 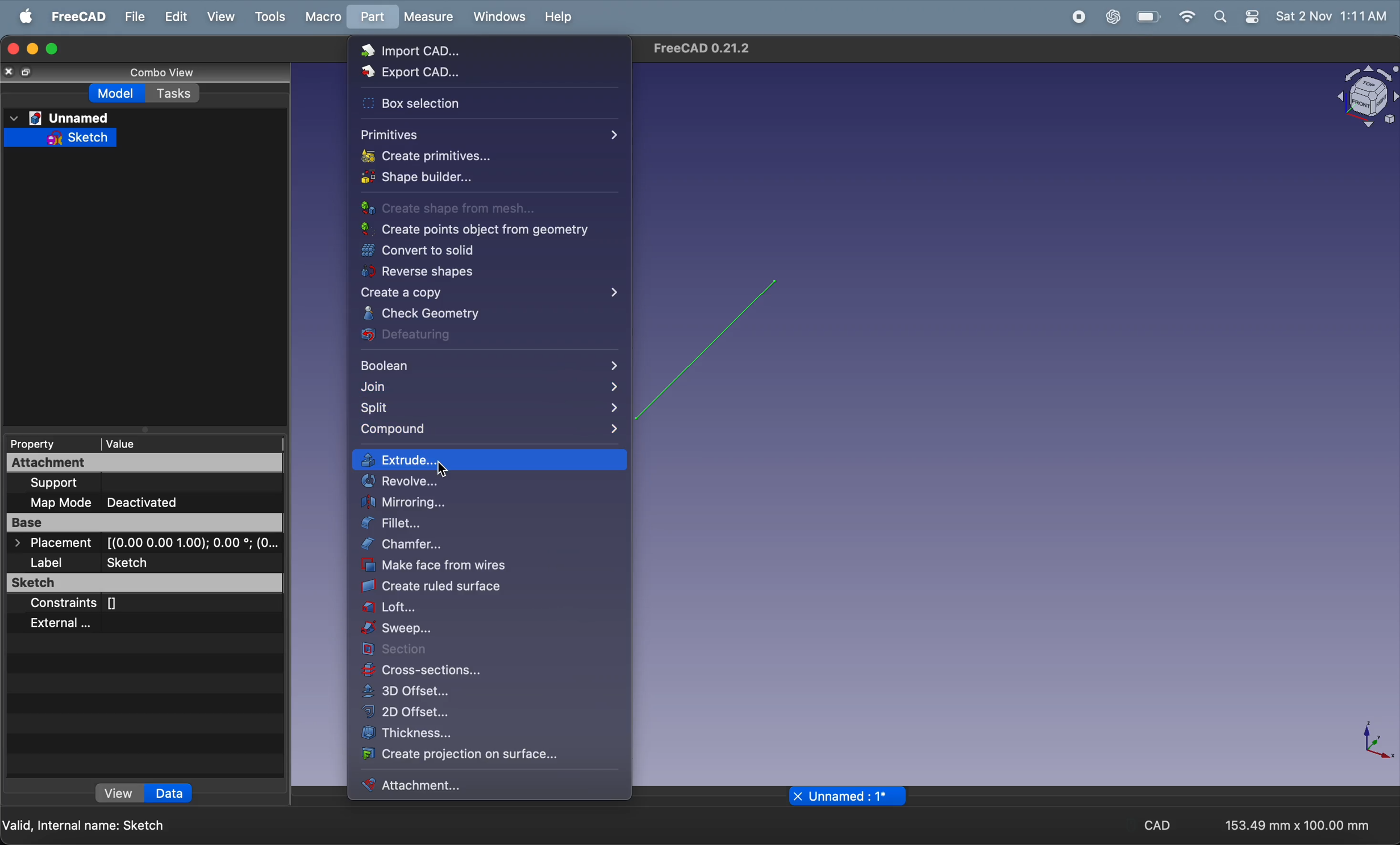 I want to click on Apple menu, so click(x=22, y=16).